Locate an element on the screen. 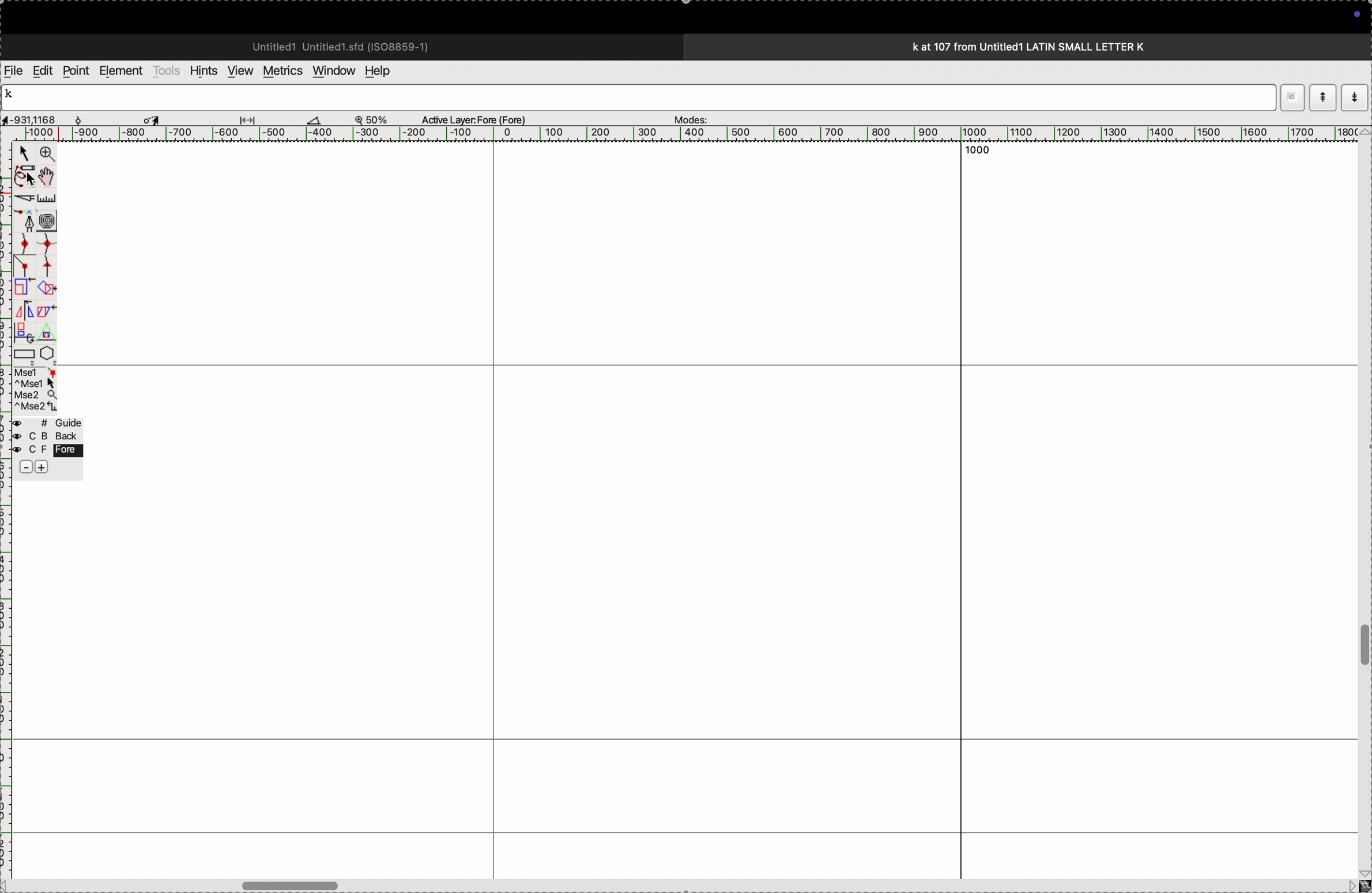  point is located at coordinates (76, 71).